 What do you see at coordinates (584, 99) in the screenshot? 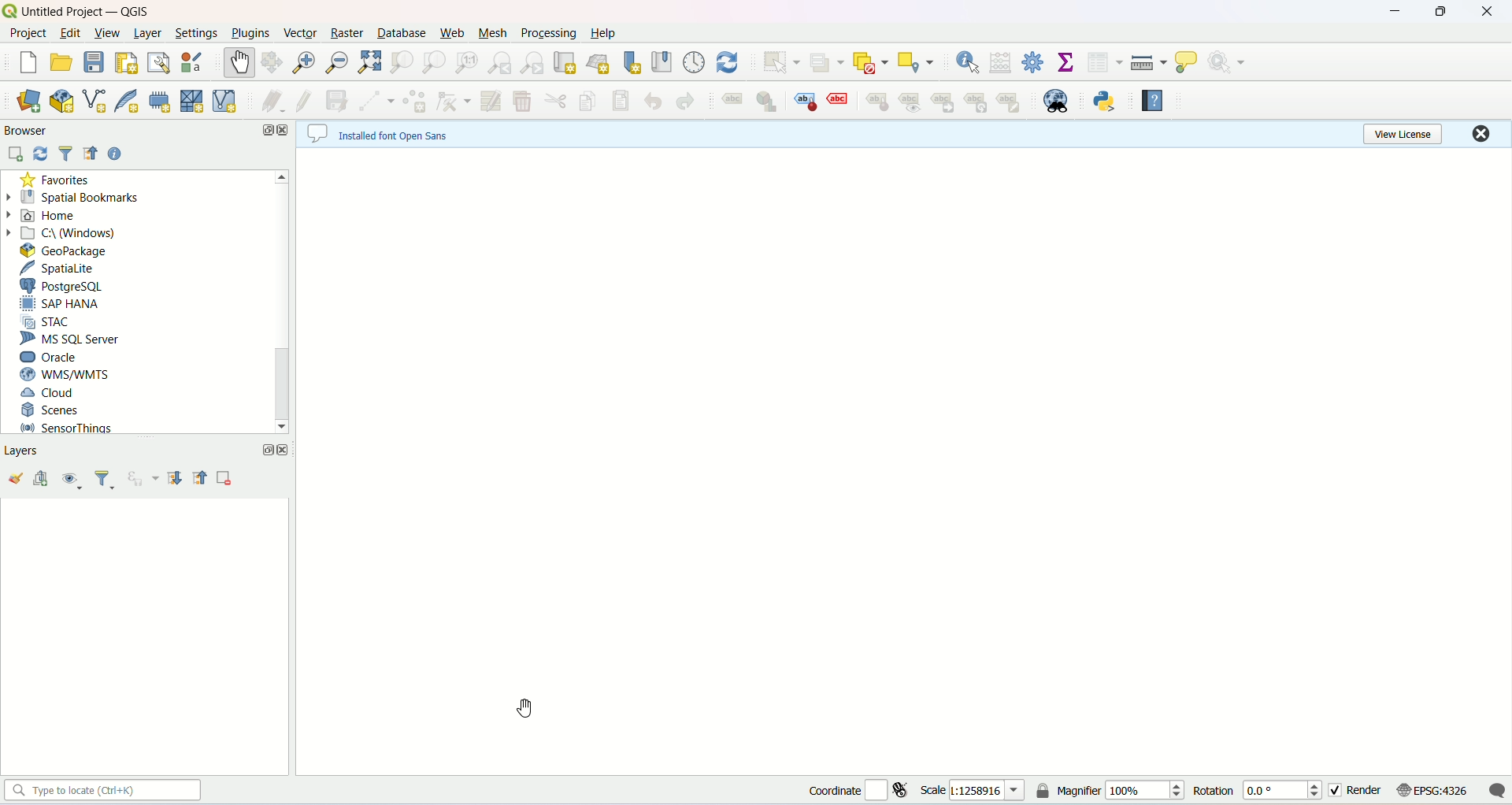
I see `copy` at bounding box center [584, 99].